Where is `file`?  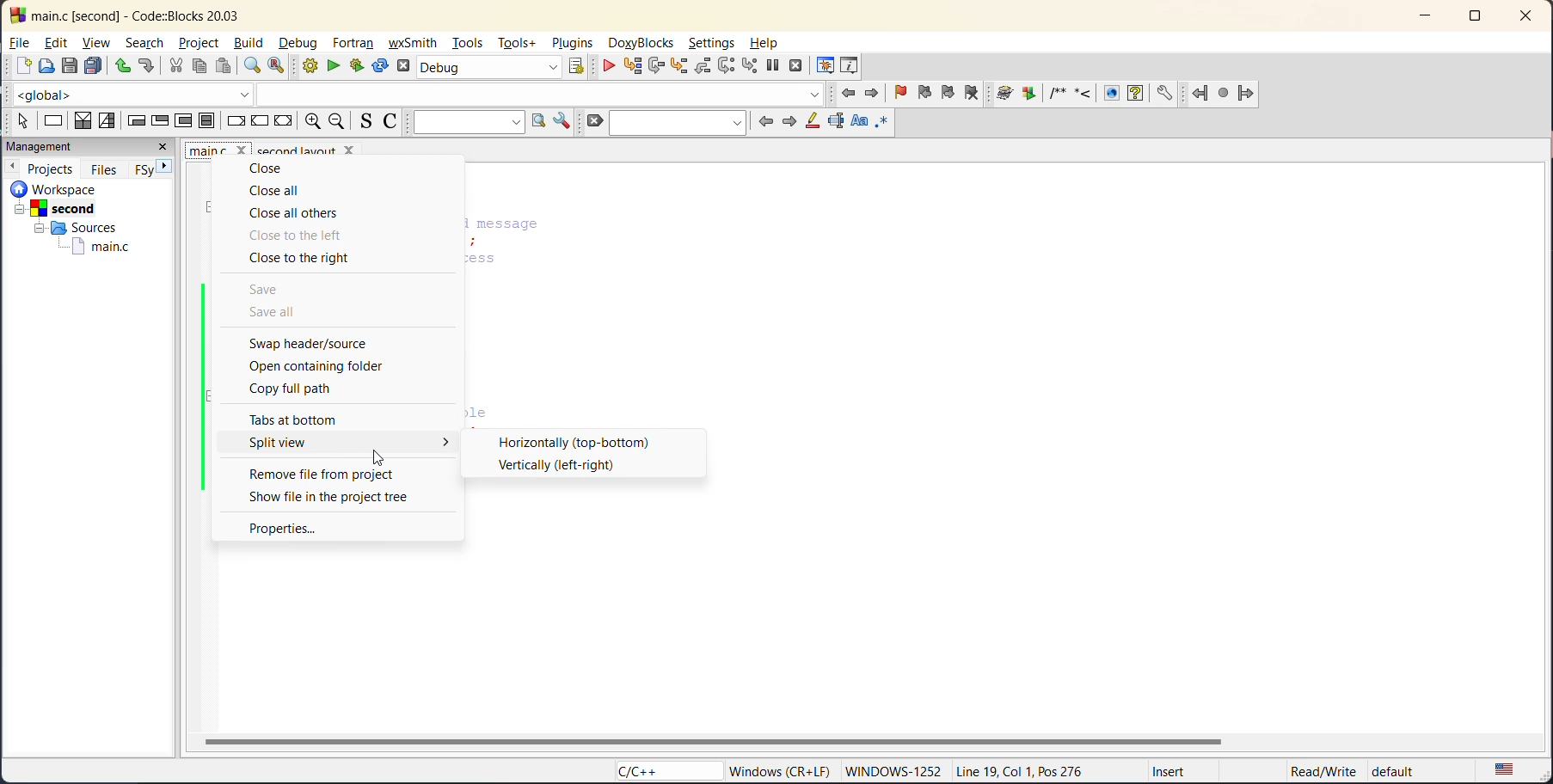 file is located at coordinates (20, 41).